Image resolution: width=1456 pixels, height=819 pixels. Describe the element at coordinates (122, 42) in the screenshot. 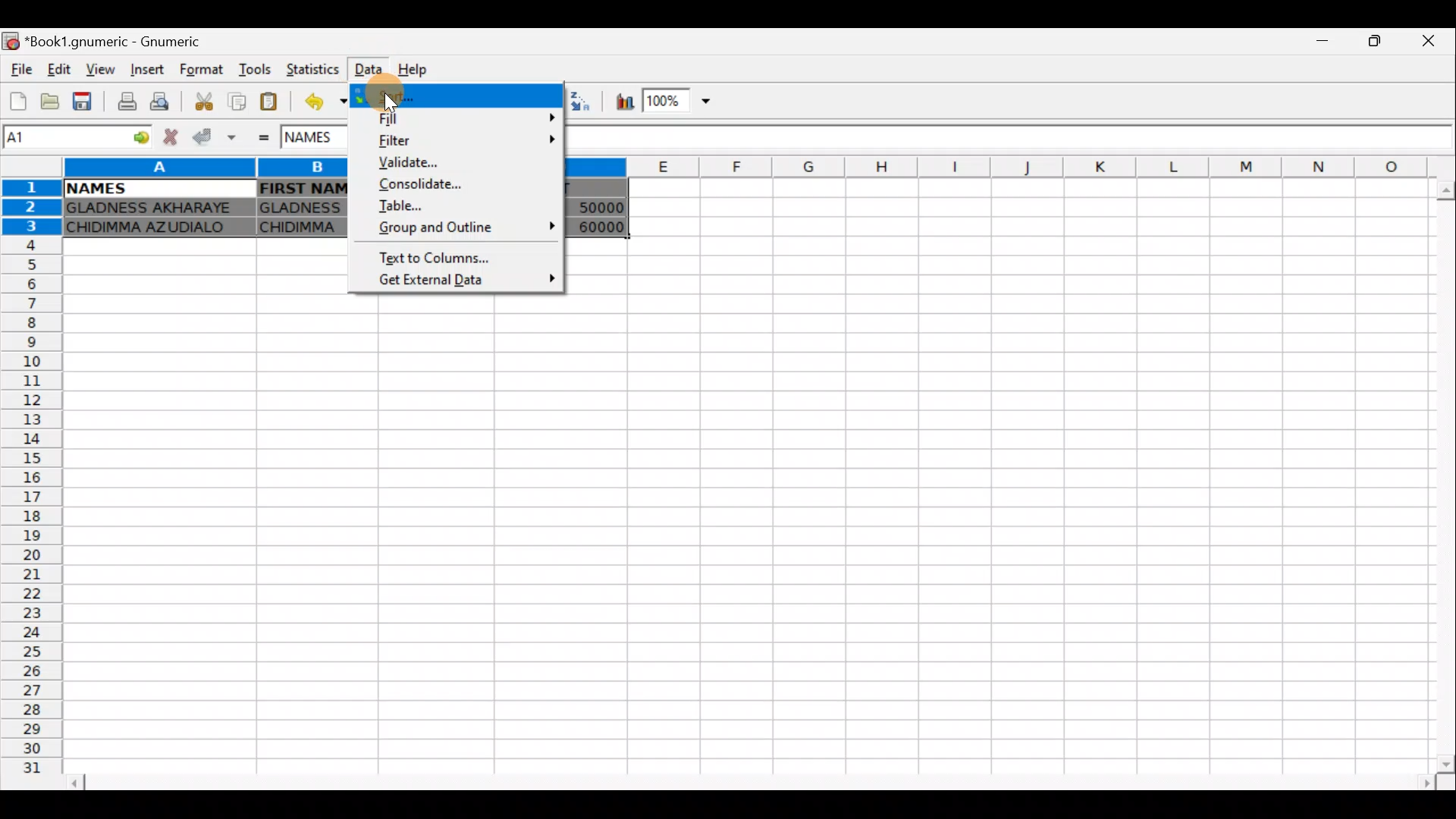

I see `*Book1.gnumeric - Gnumeric` at that location.